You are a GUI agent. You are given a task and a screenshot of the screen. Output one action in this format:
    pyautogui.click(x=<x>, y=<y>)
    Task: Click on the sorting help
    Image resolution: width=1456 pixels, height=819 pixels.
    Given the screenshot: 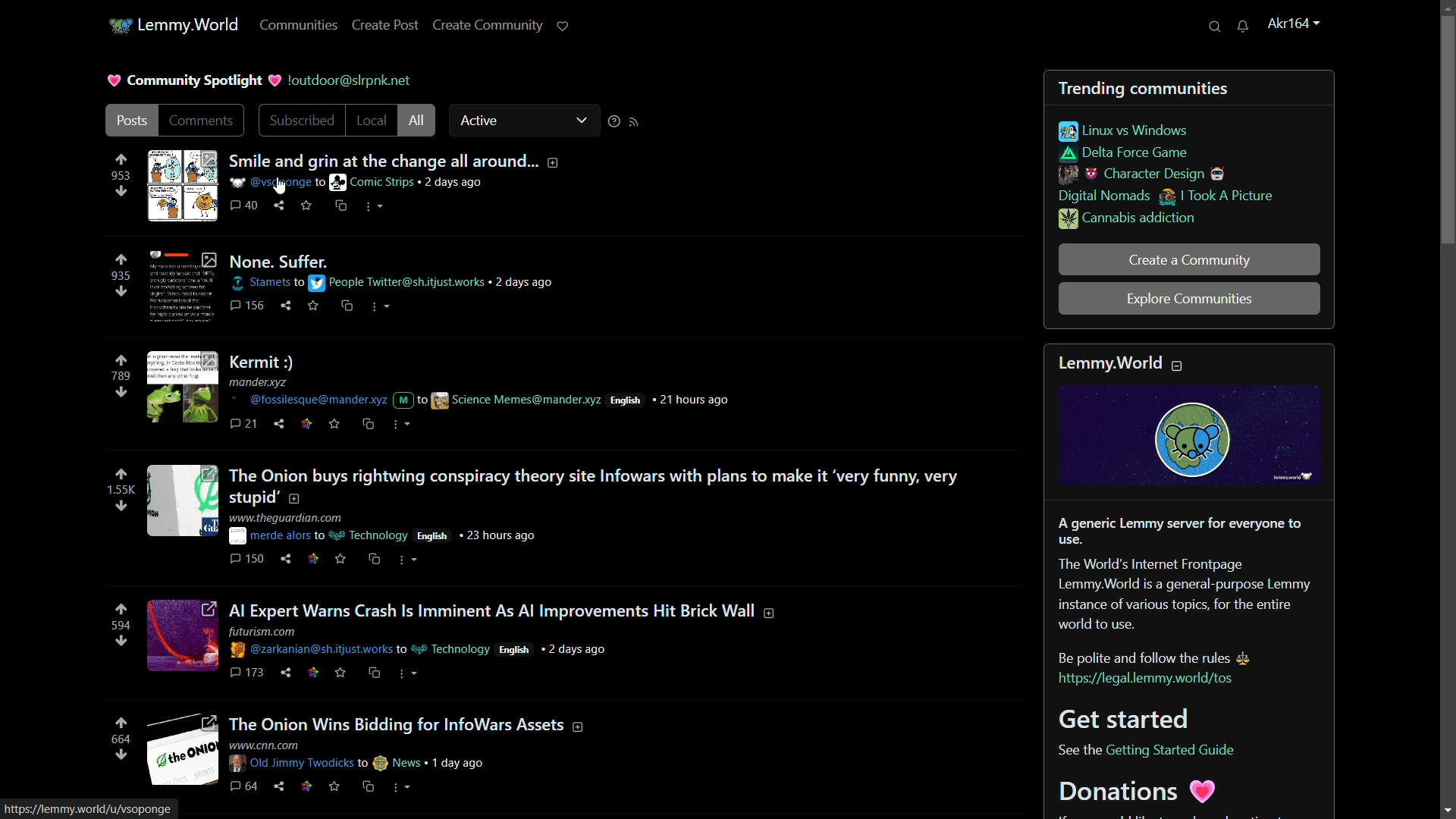 What is the action you would take?
    pyautogui.click(x=613, y=121)
    